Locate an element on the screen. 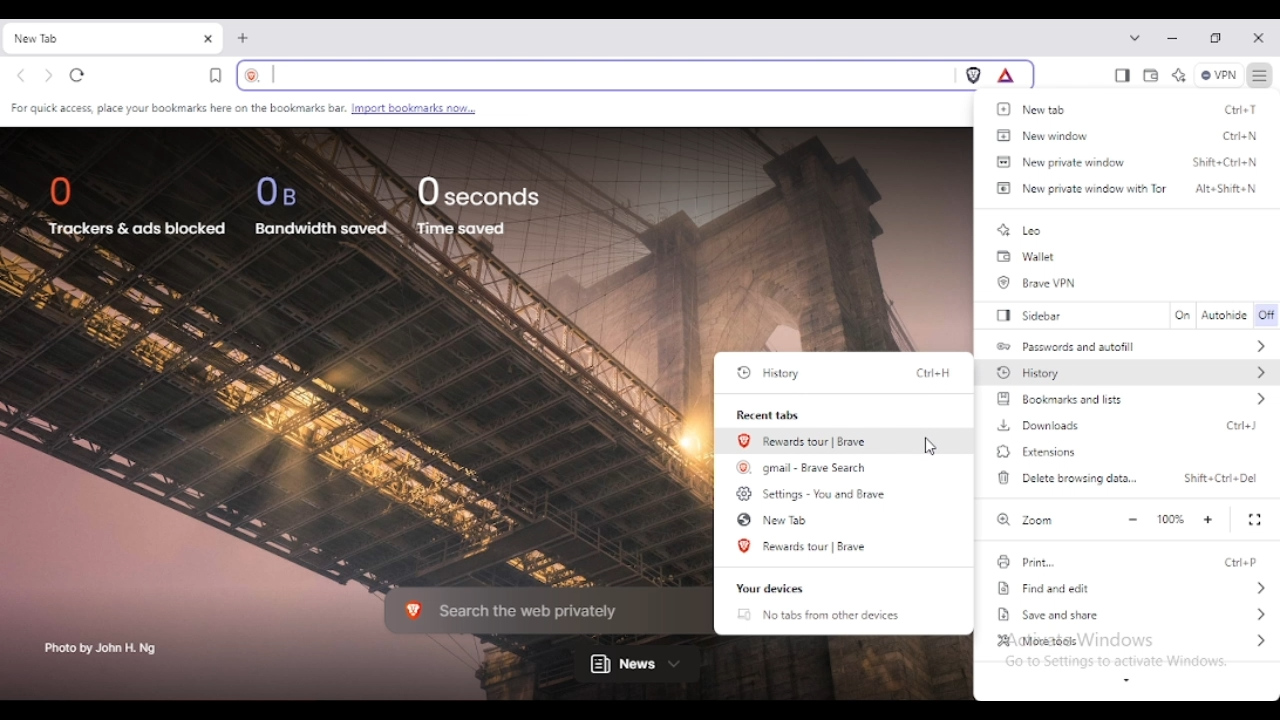 The image size is (1280, 720). find and edit is located at coordinates (1134, 589).